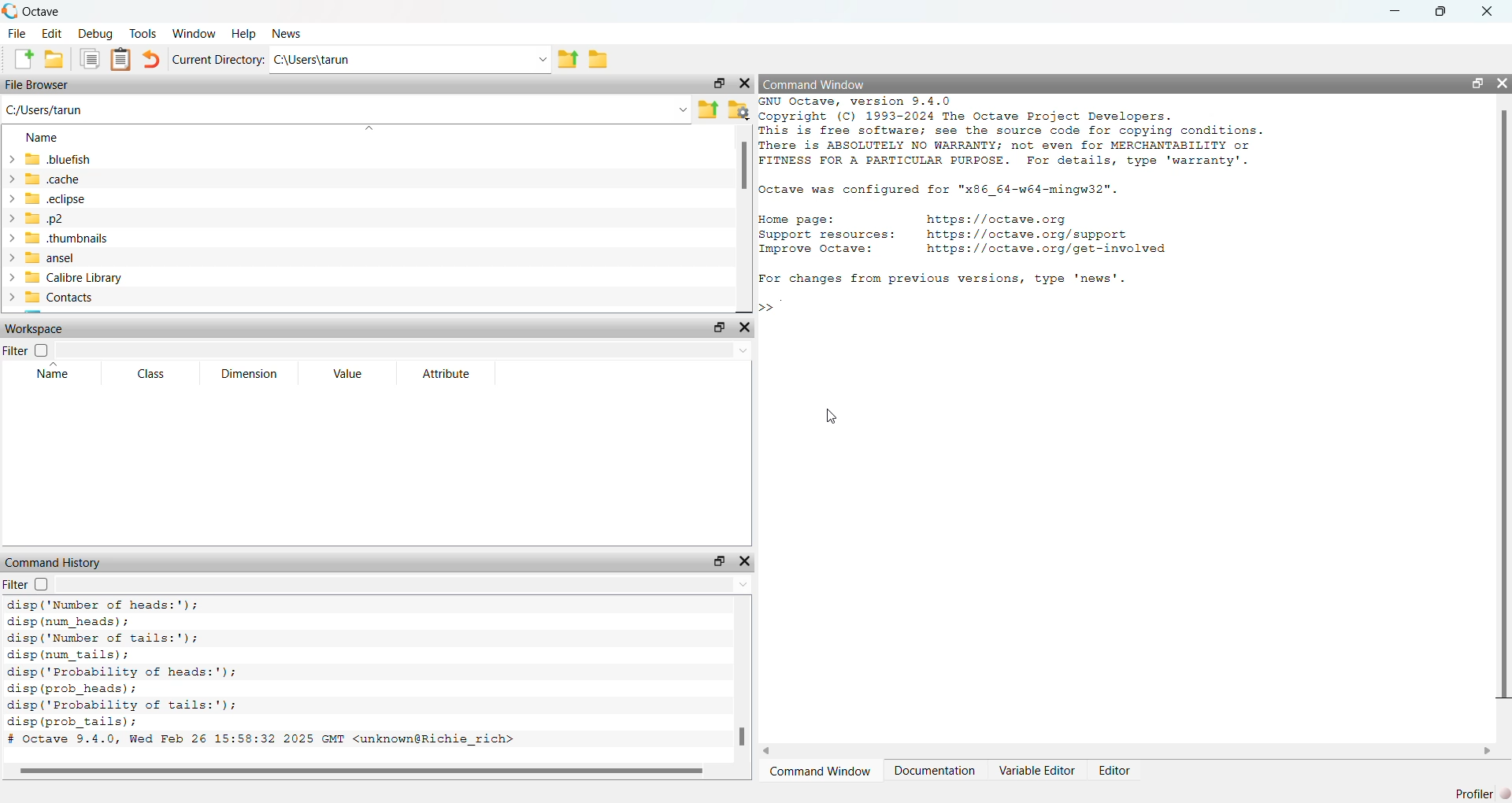 The image size is (1512, 803). What do you see at coordinates (739, 109) in the screenshot?
I see `Browse your files` at bounding box center [739, 109].